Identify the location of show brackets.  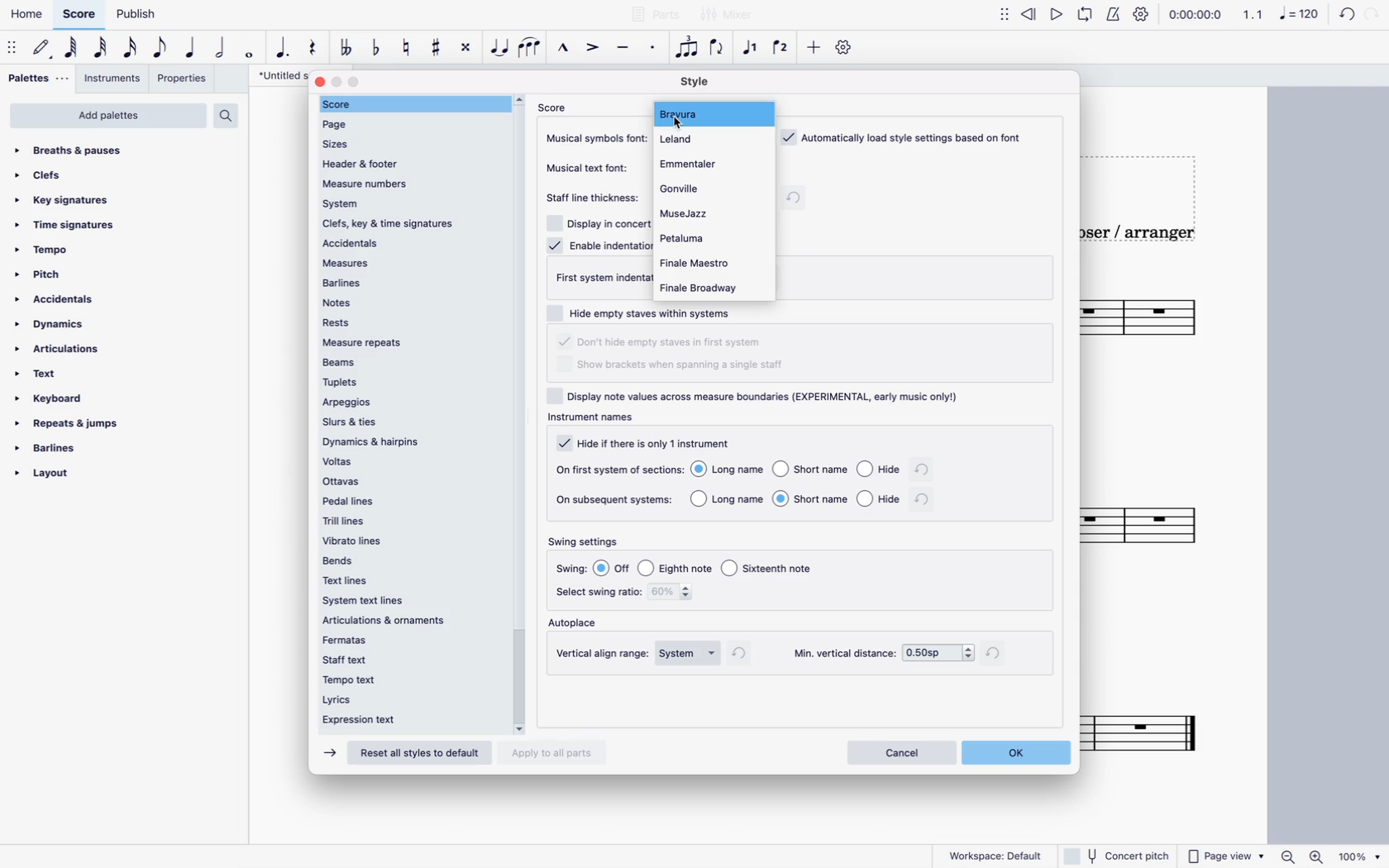
(680, 366).